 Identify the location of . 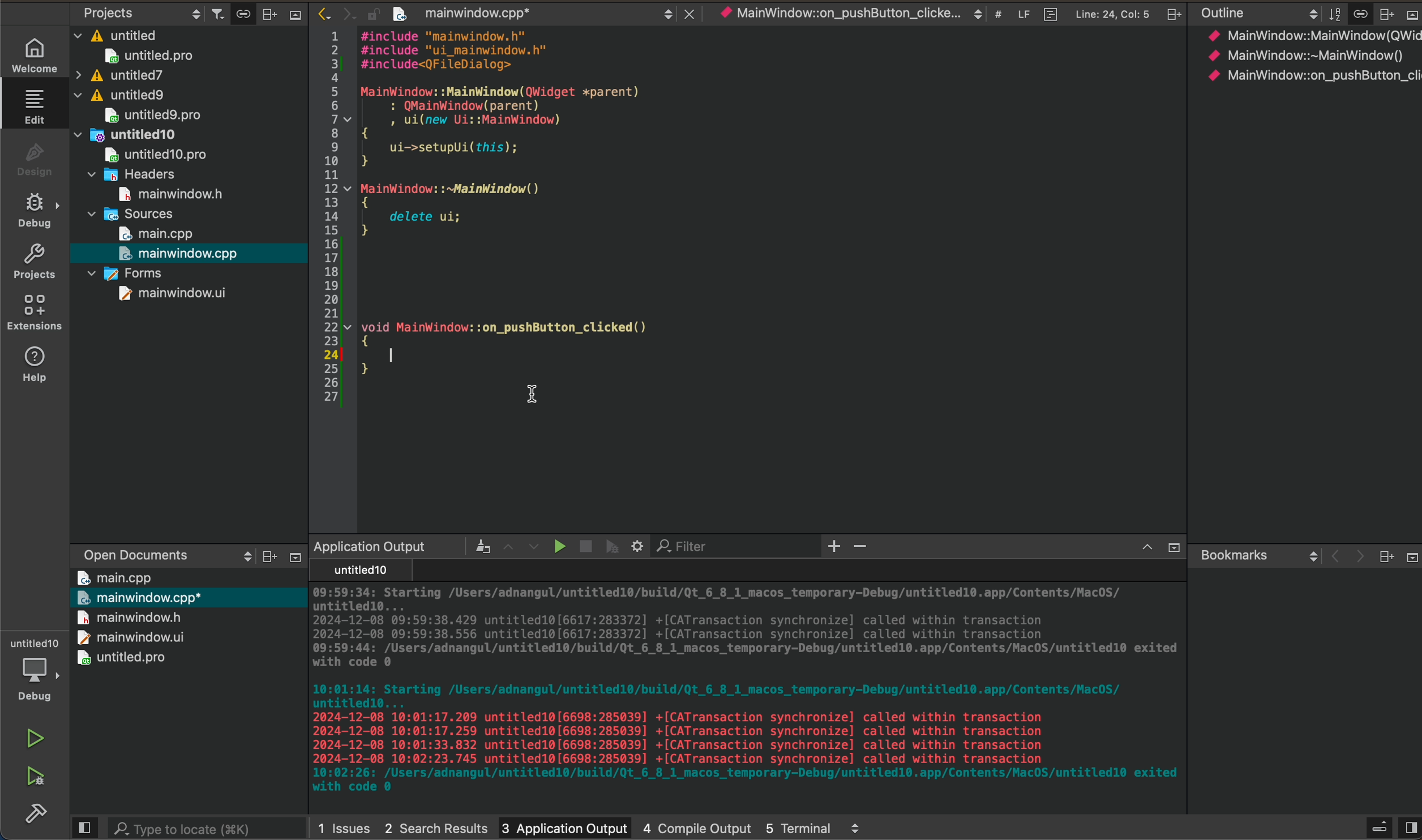
(1409, 556).